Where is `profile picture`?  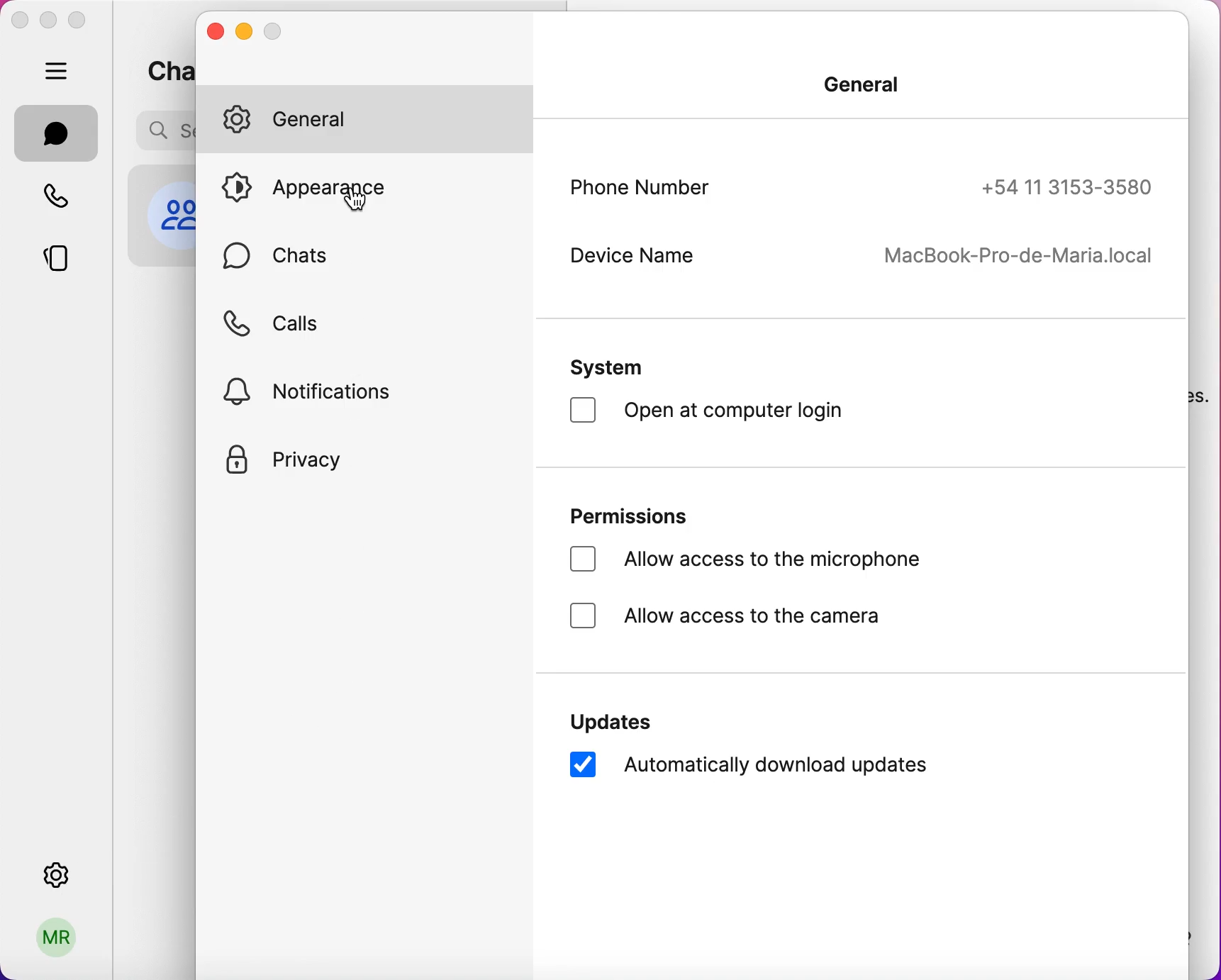
profile picture is located at coordinates (172, 216).